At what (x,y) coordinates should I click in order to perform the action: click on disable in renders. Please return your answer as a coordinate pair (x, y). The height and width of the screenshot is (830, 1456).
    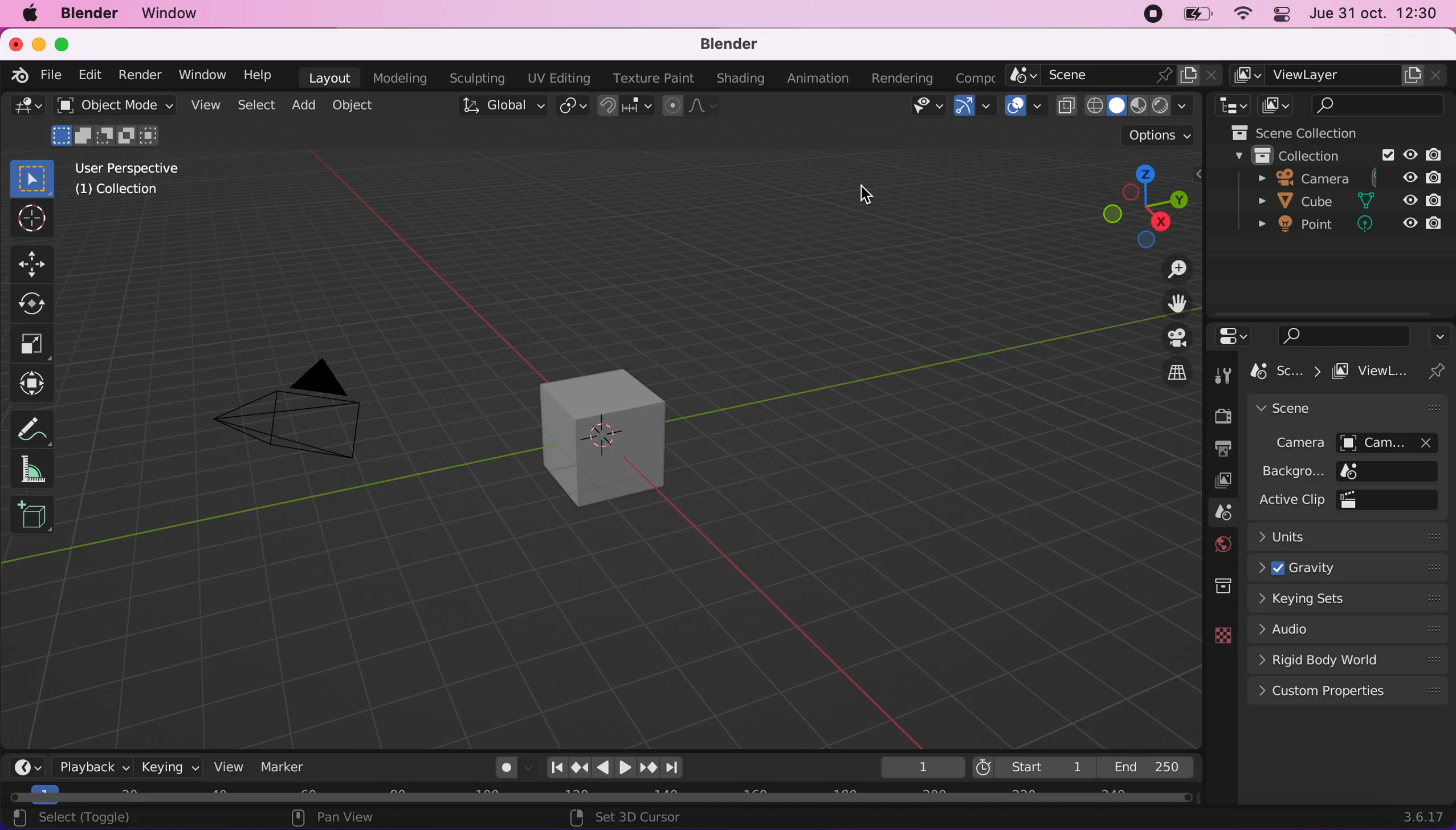
    Looking at the image, I should click on (1431, 225).